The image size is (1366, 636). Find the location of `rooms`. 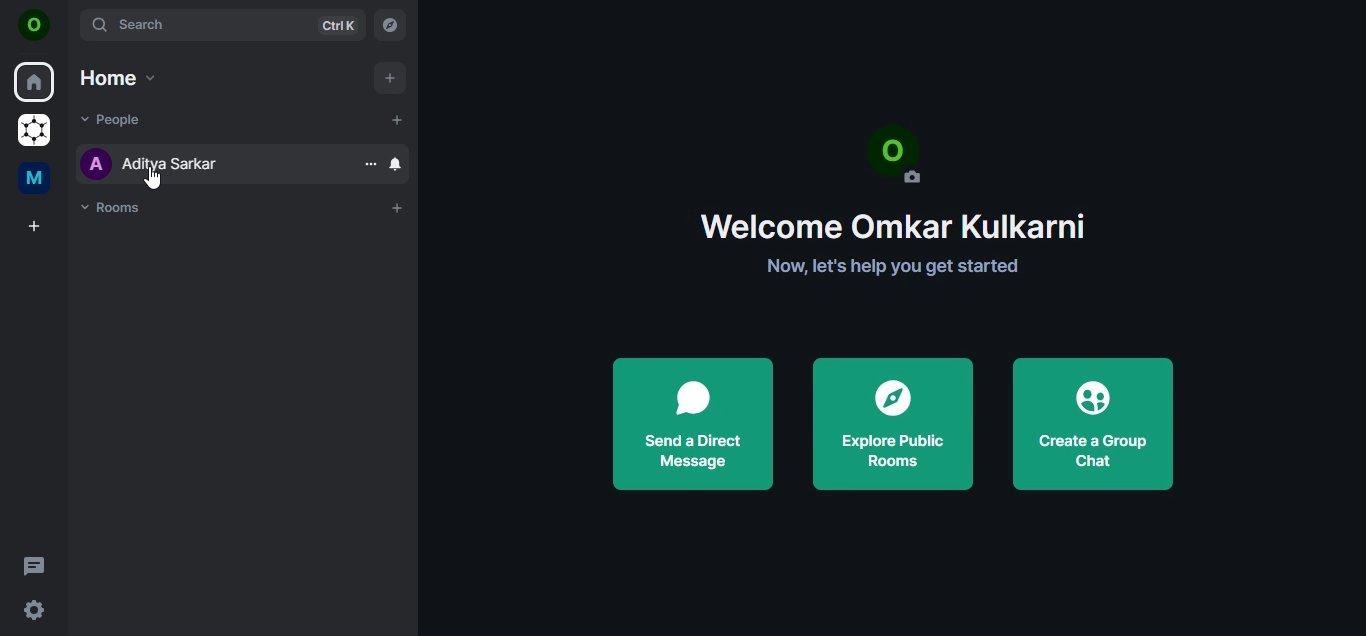

rooms is located at coordinates (120, 209).